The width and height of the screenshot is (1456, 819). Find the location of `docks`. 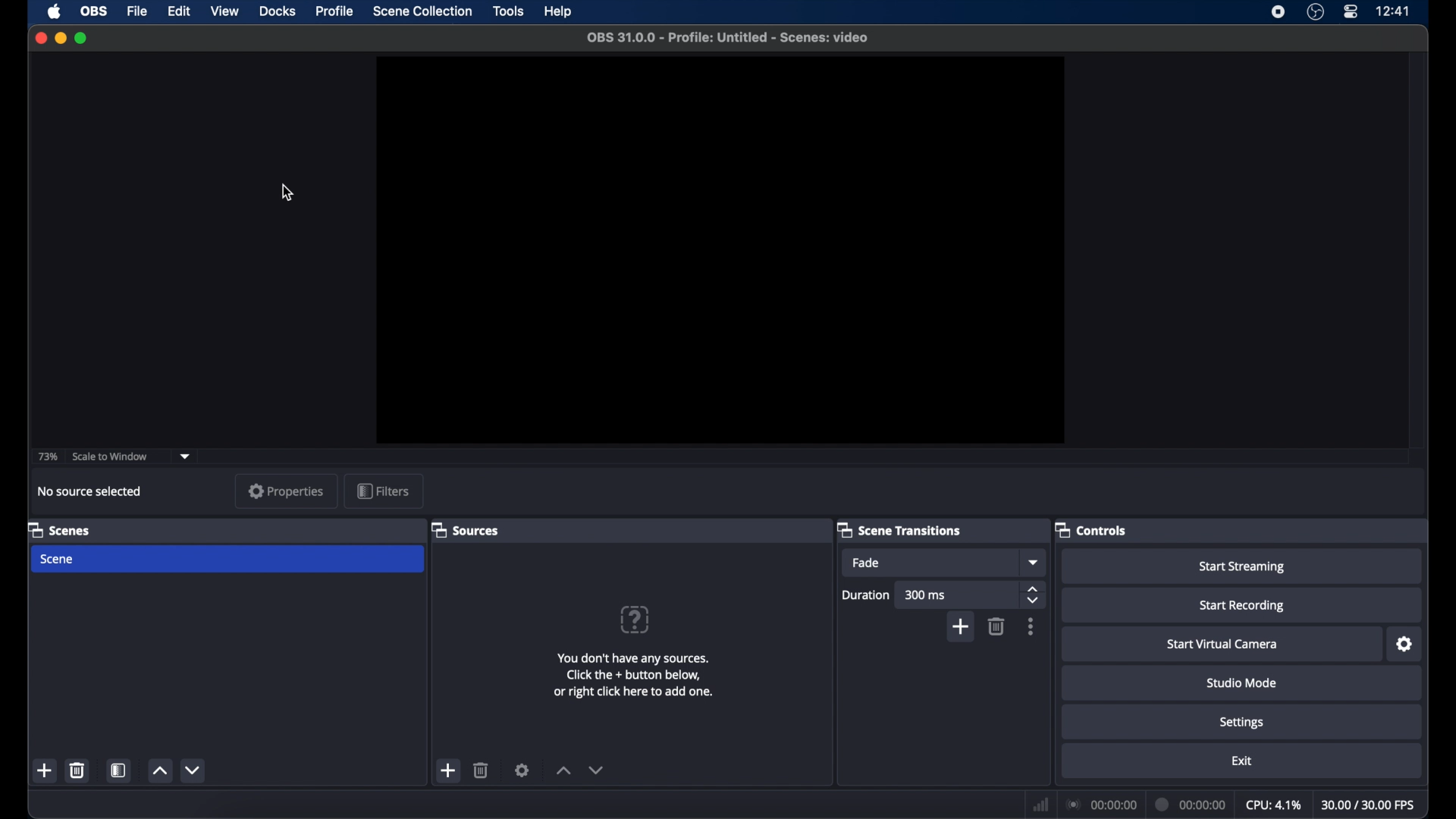

docks is located at coordinates (278, 11).